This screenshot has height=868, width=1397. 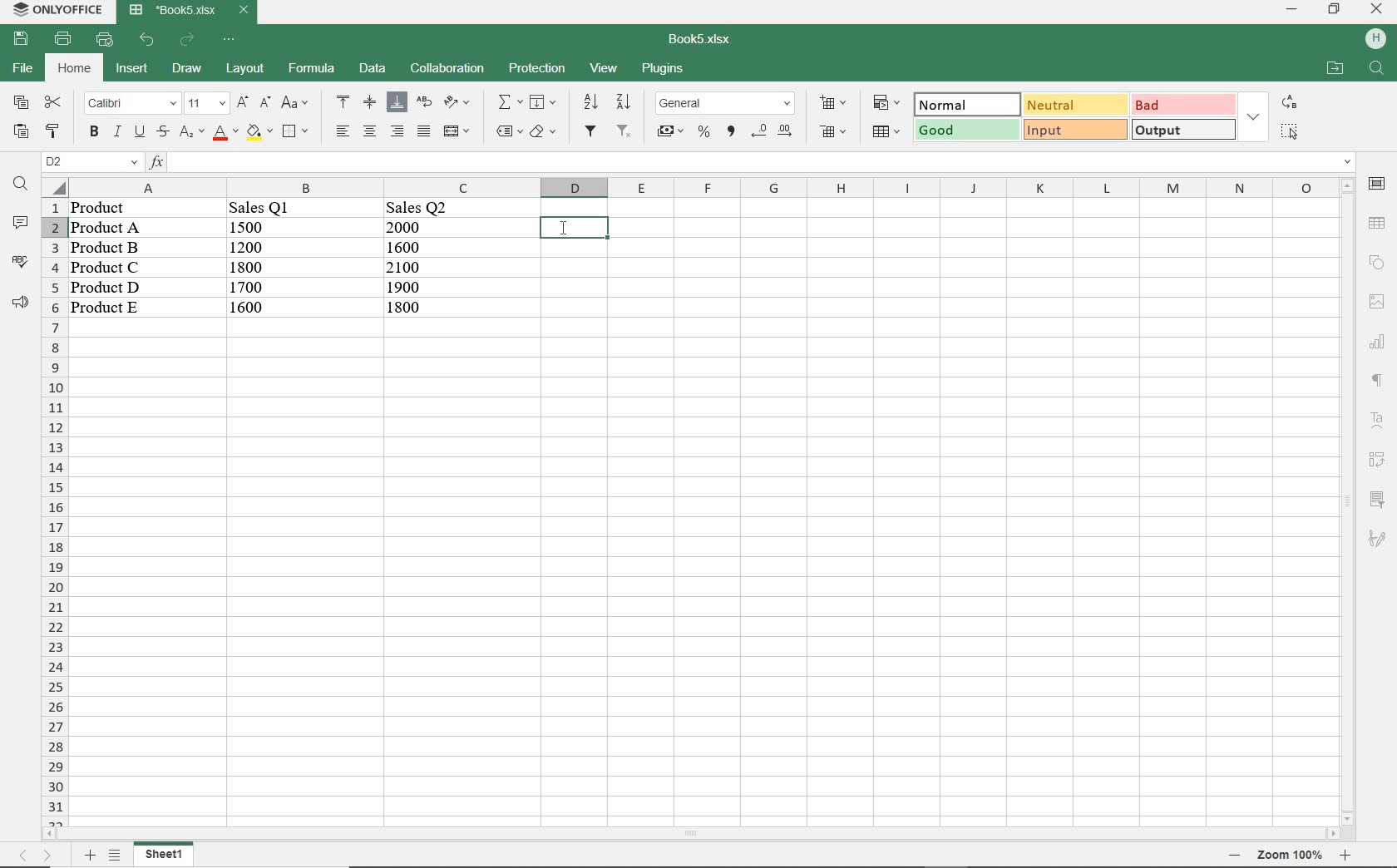 I want to click on align bottom, so click(x=397, y=104).